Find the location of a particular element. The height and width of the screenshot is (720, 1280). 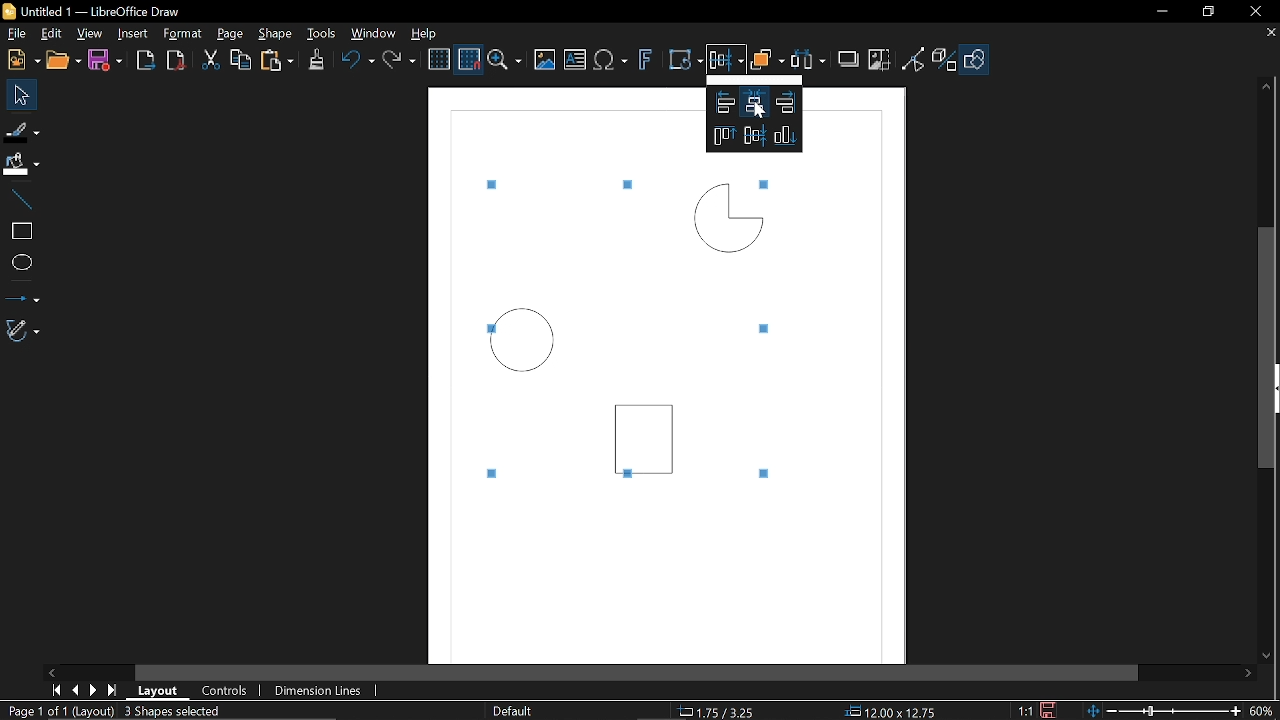

Align left is located at coordinates (723, 102).